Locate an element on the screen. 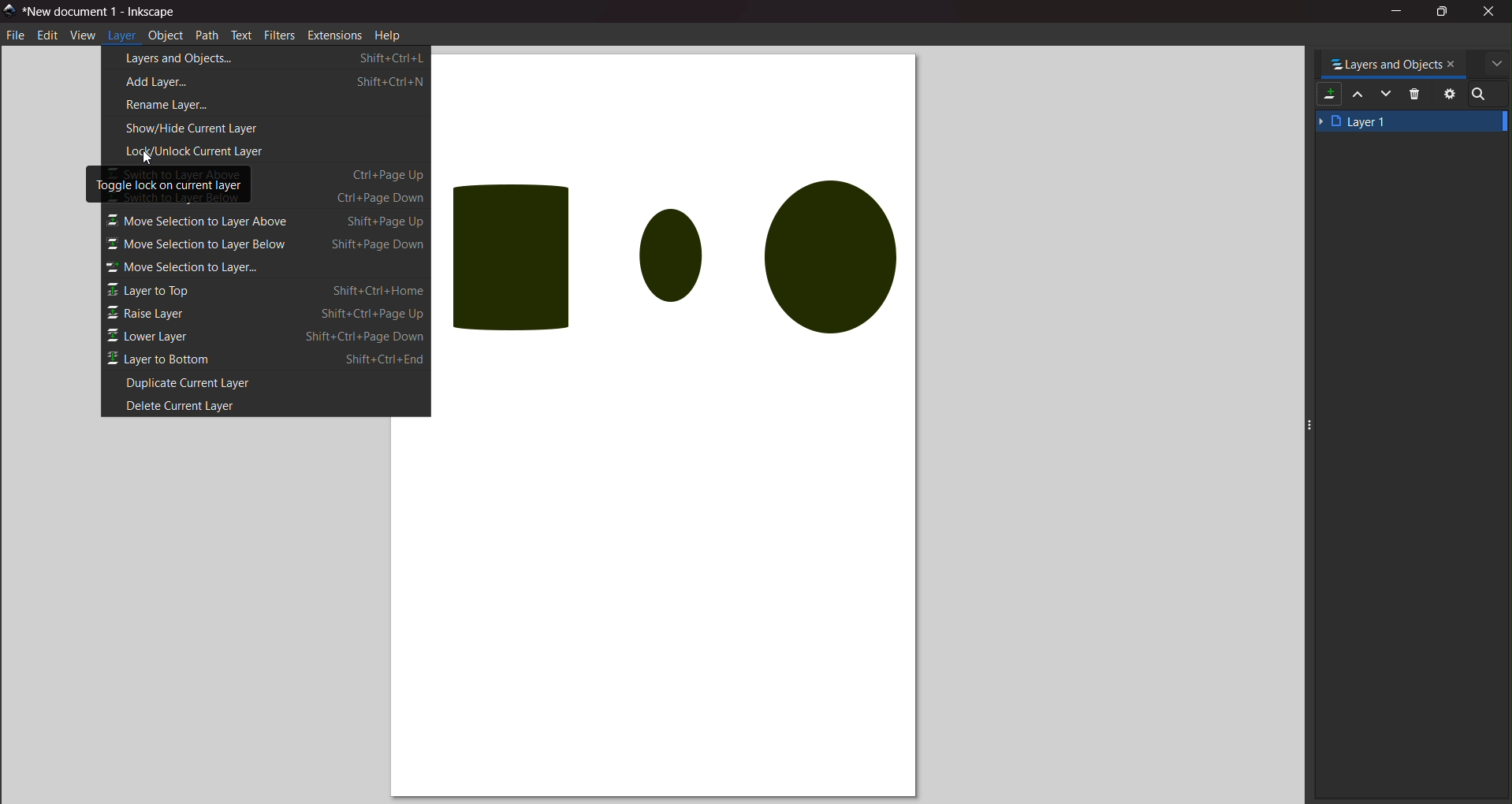 This screenshot has height=804, width=1512. search is located at coordinates (1481, 94).